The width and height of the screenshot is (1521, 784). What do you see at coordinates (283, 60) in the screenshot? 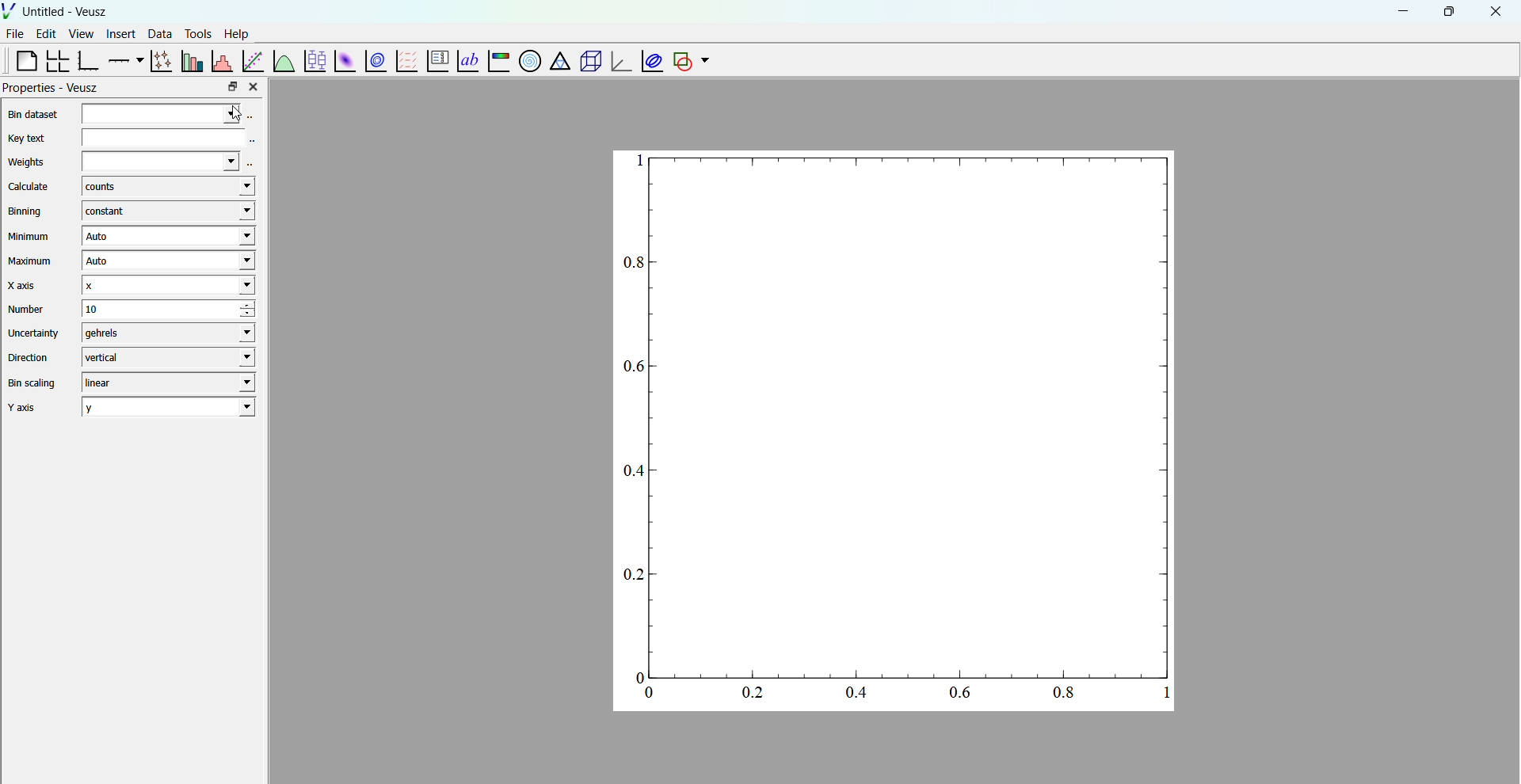
I see `plot functions` at bounding box center [283, 60].